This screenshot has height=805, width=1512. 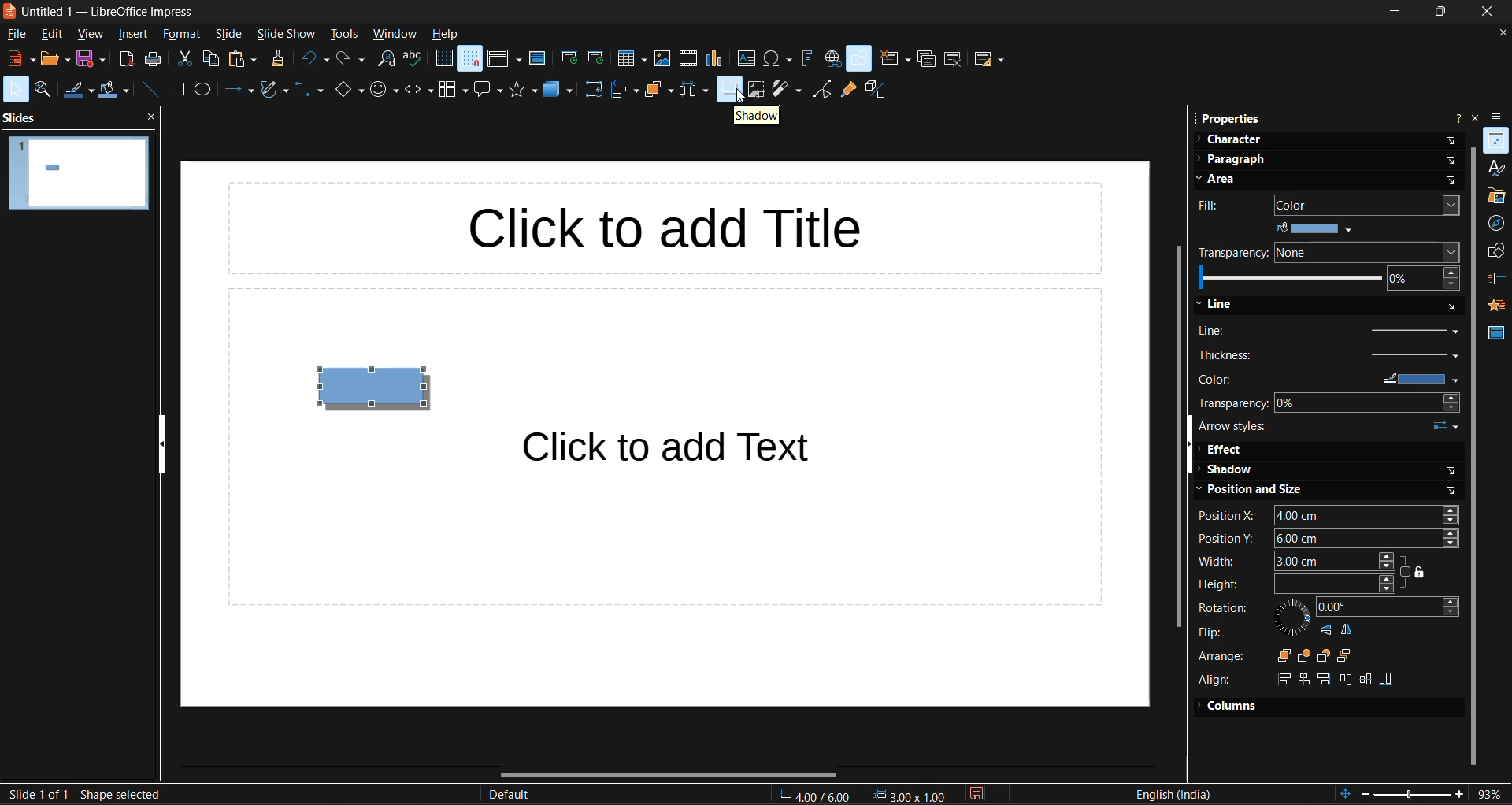 What do you see at coordinates (18, 34) in the screenshot?
I see `file` at bounding box center [18, 34].